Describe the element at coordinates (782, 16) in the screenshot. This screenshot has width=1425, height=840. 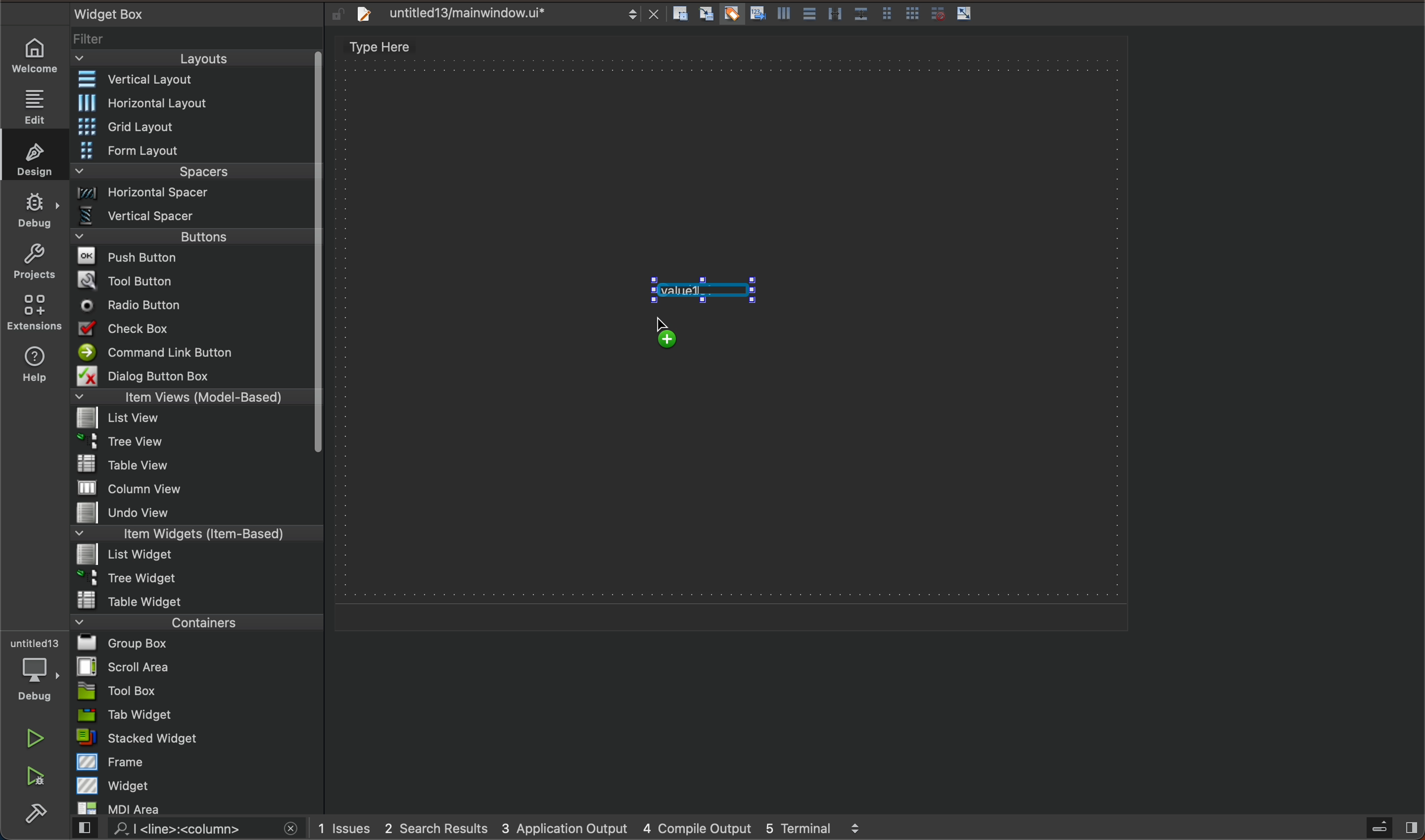
I see `` at that location.